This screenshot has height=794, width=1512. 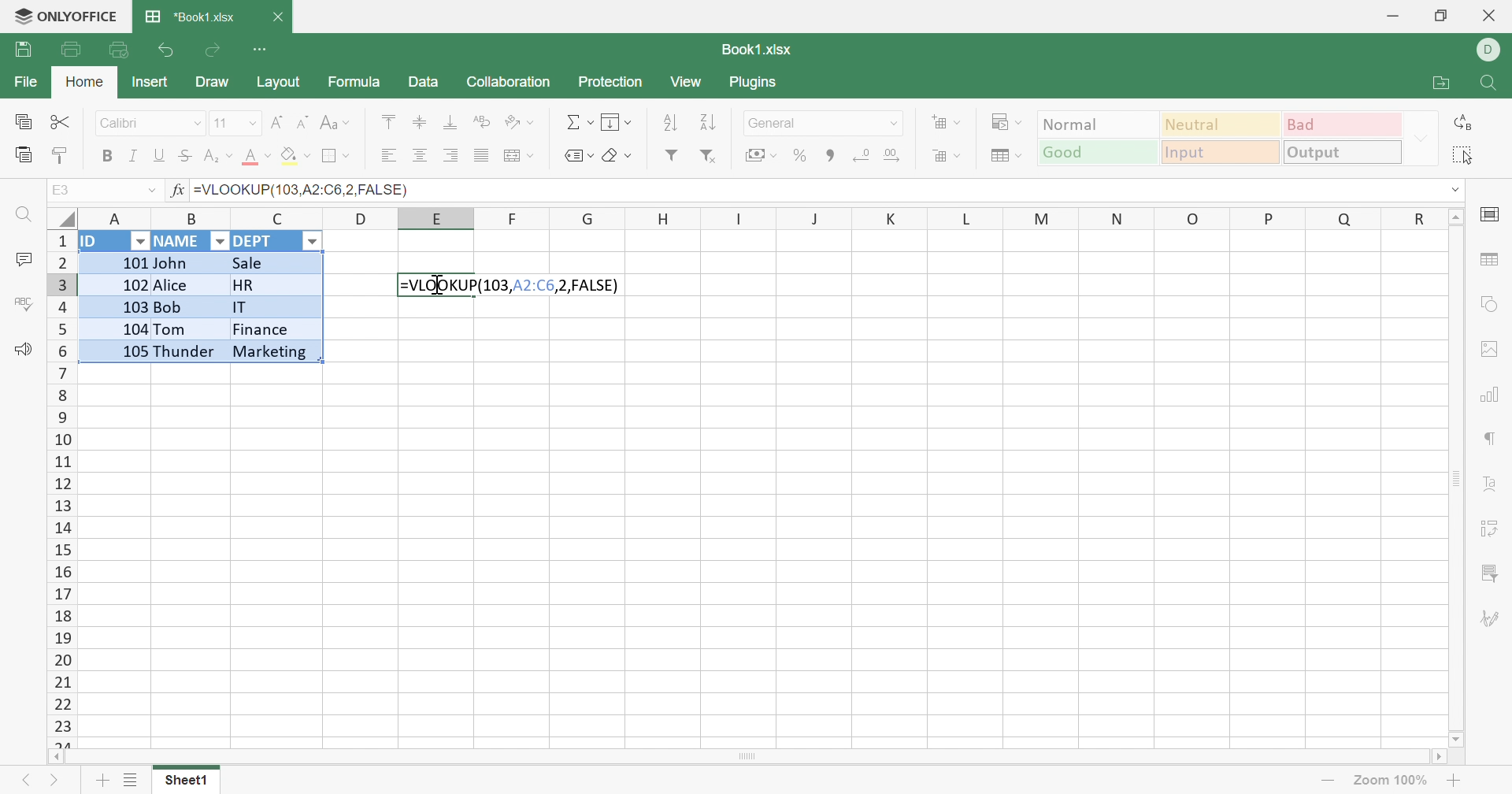 I want to click on Insert, so click(x=155, y=83).